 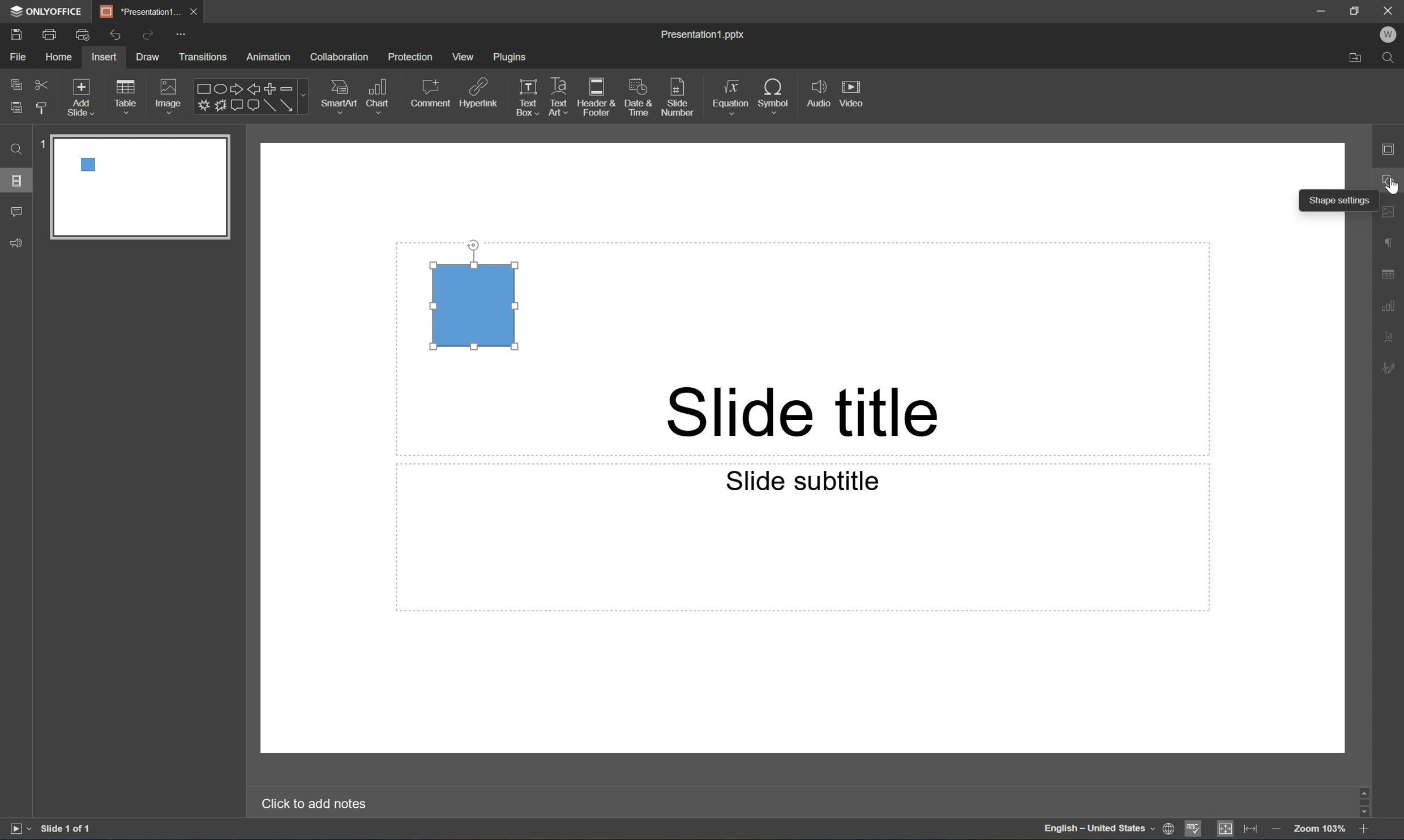 What do you see at coordinates (1391, 59) in the screenshot?
I see `Find` at bounding box center [1391, 59].